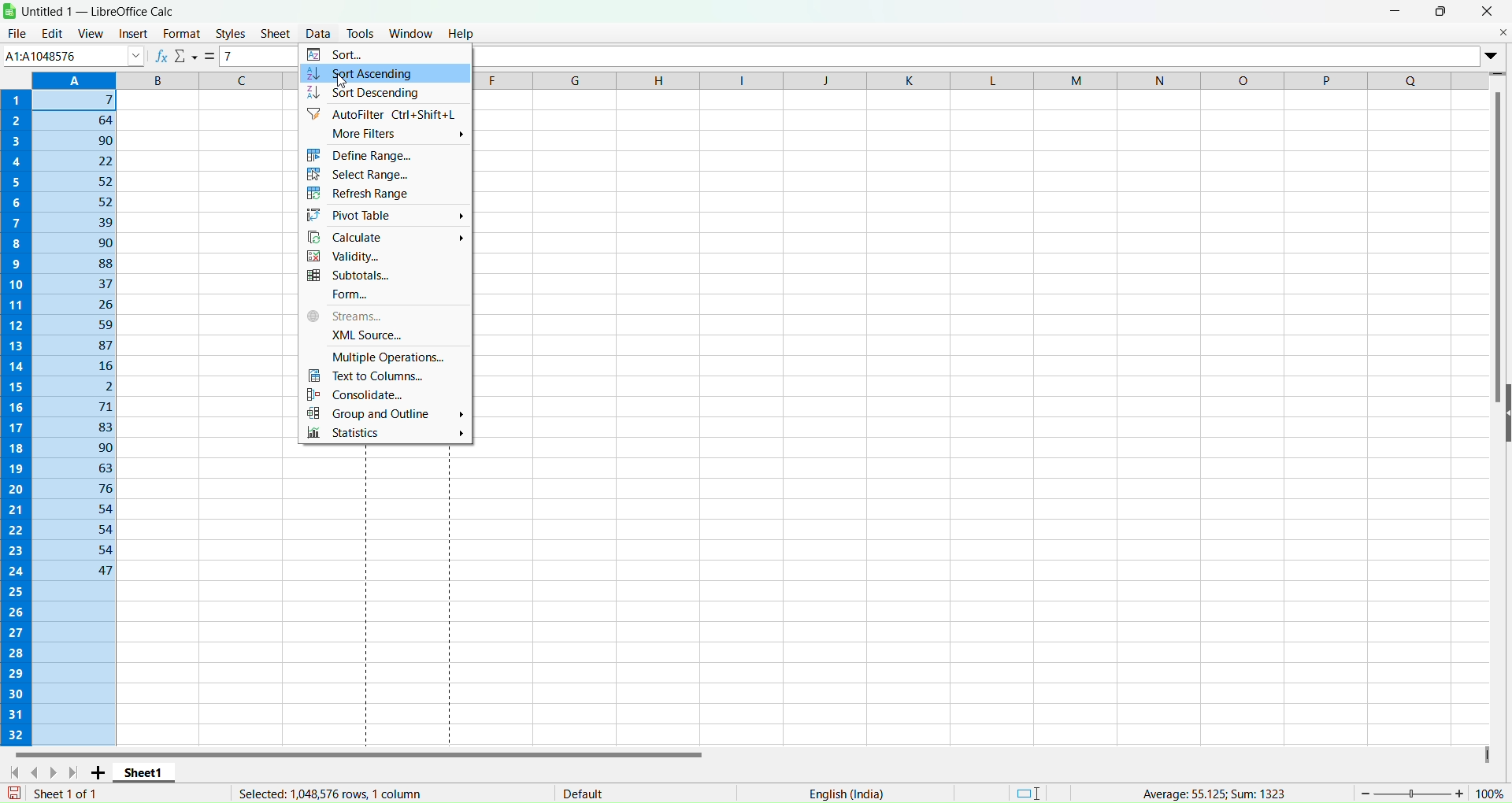 The width and height of the screenshot is (1512, 803). Describe the element at coordinates (380, 114) in the screenshot. I see `Autofilter` at that location.